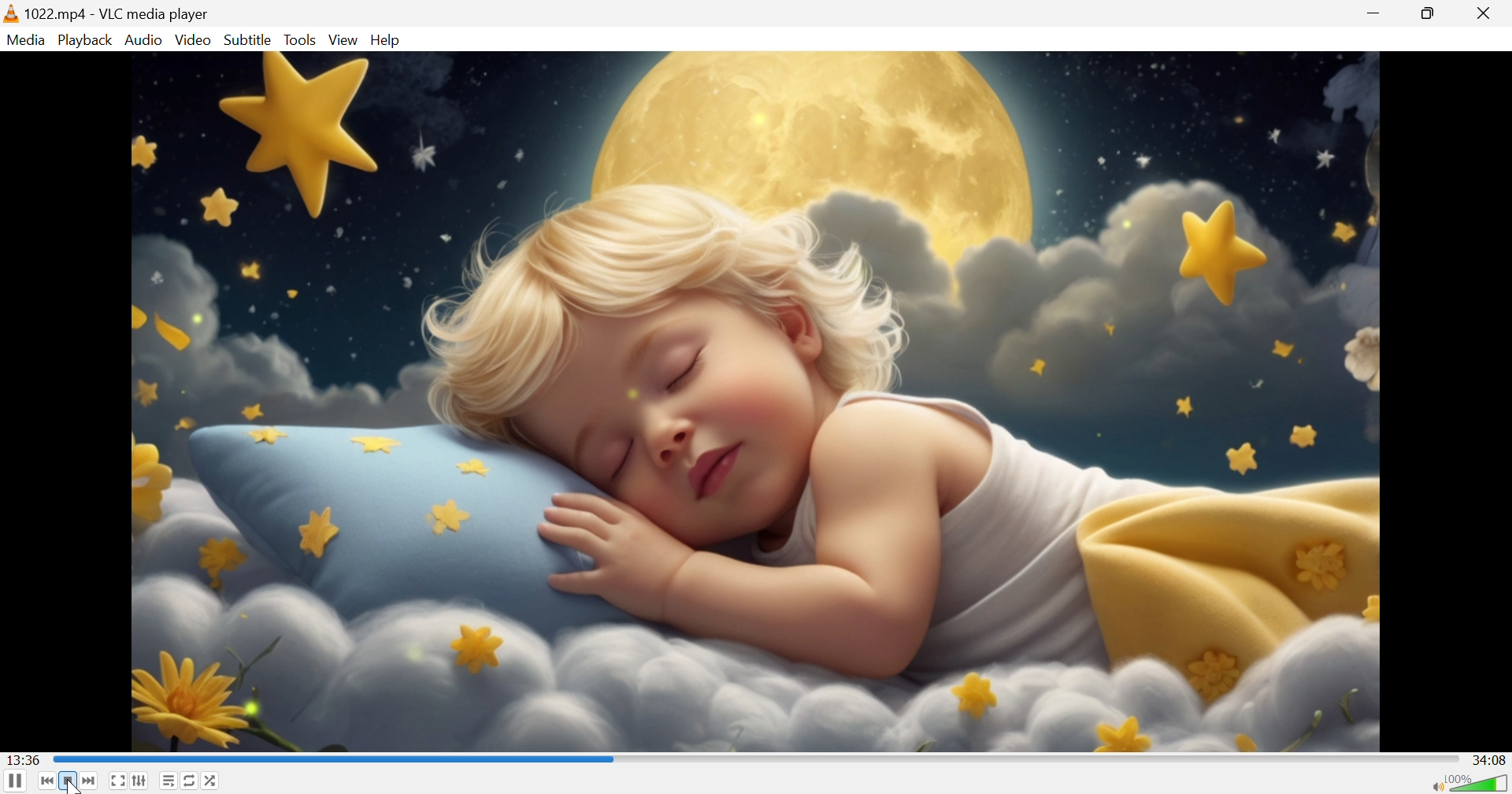 The width and height of the screenshot is (1512, 794). What do you see at coordinates (144, 39) in the screenshot?
I see `Audio` at bounding box center [144, 39].